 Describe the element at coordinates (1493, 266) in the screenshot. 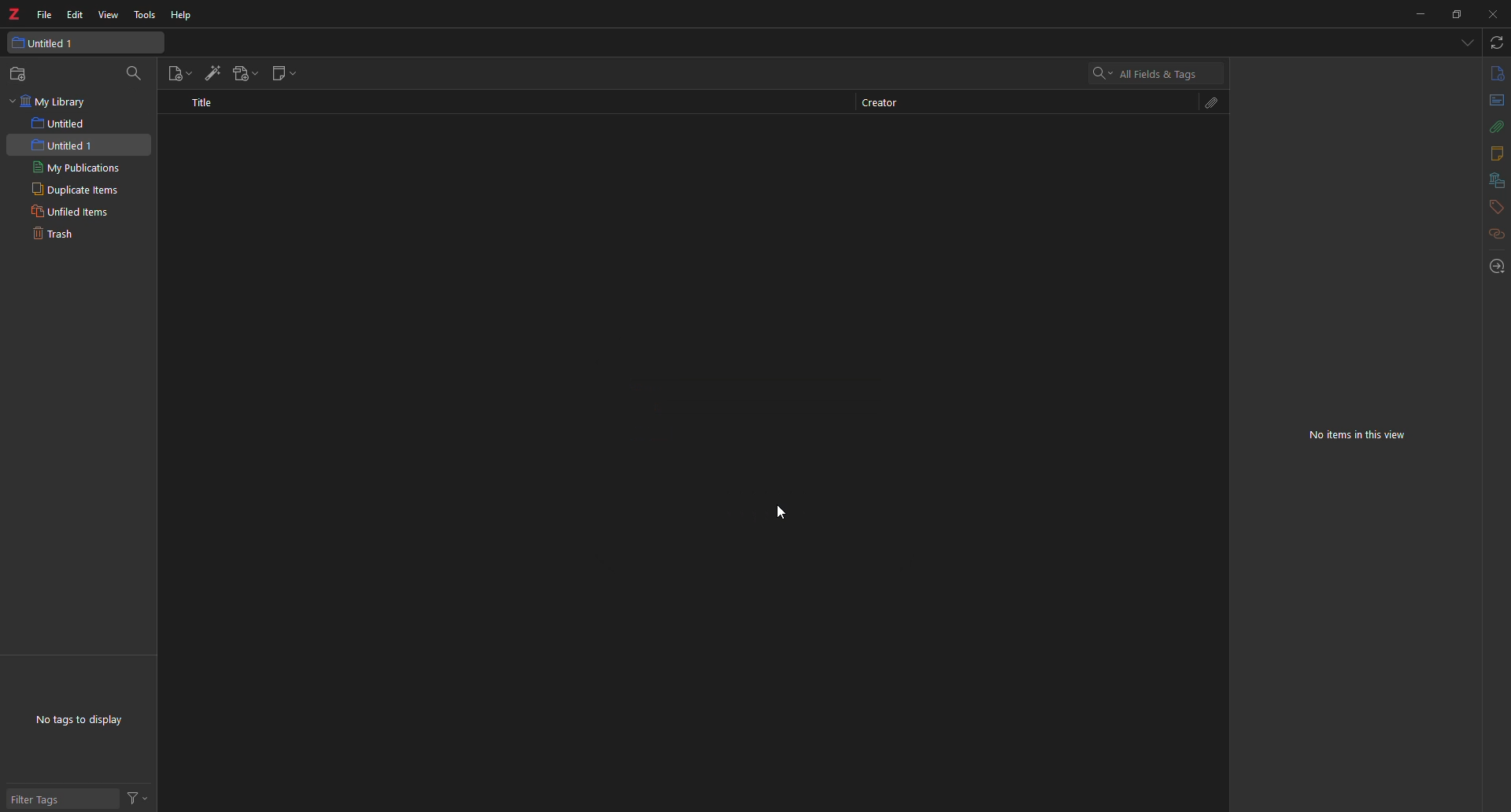

I see `locate` at that location.